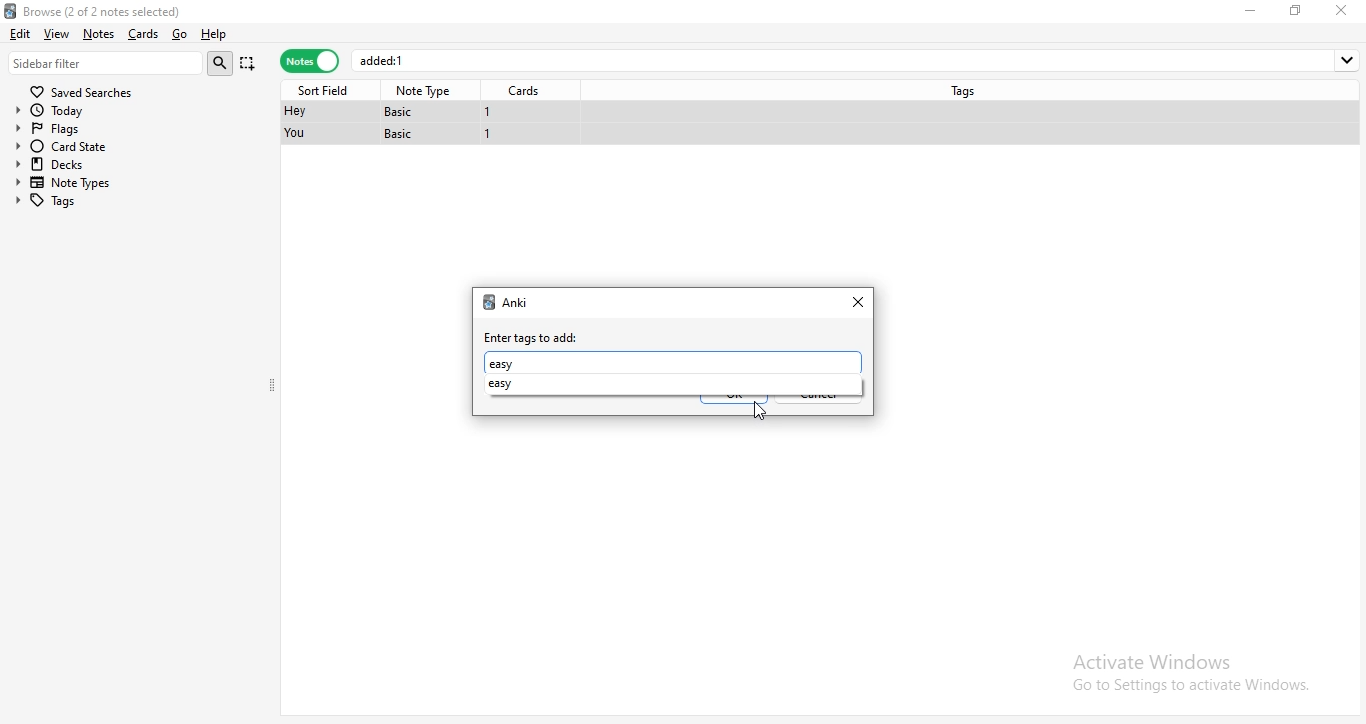 Image resolution: width=1366 pixels, height=724 pixels. I want to click on help, so click(214, 35).